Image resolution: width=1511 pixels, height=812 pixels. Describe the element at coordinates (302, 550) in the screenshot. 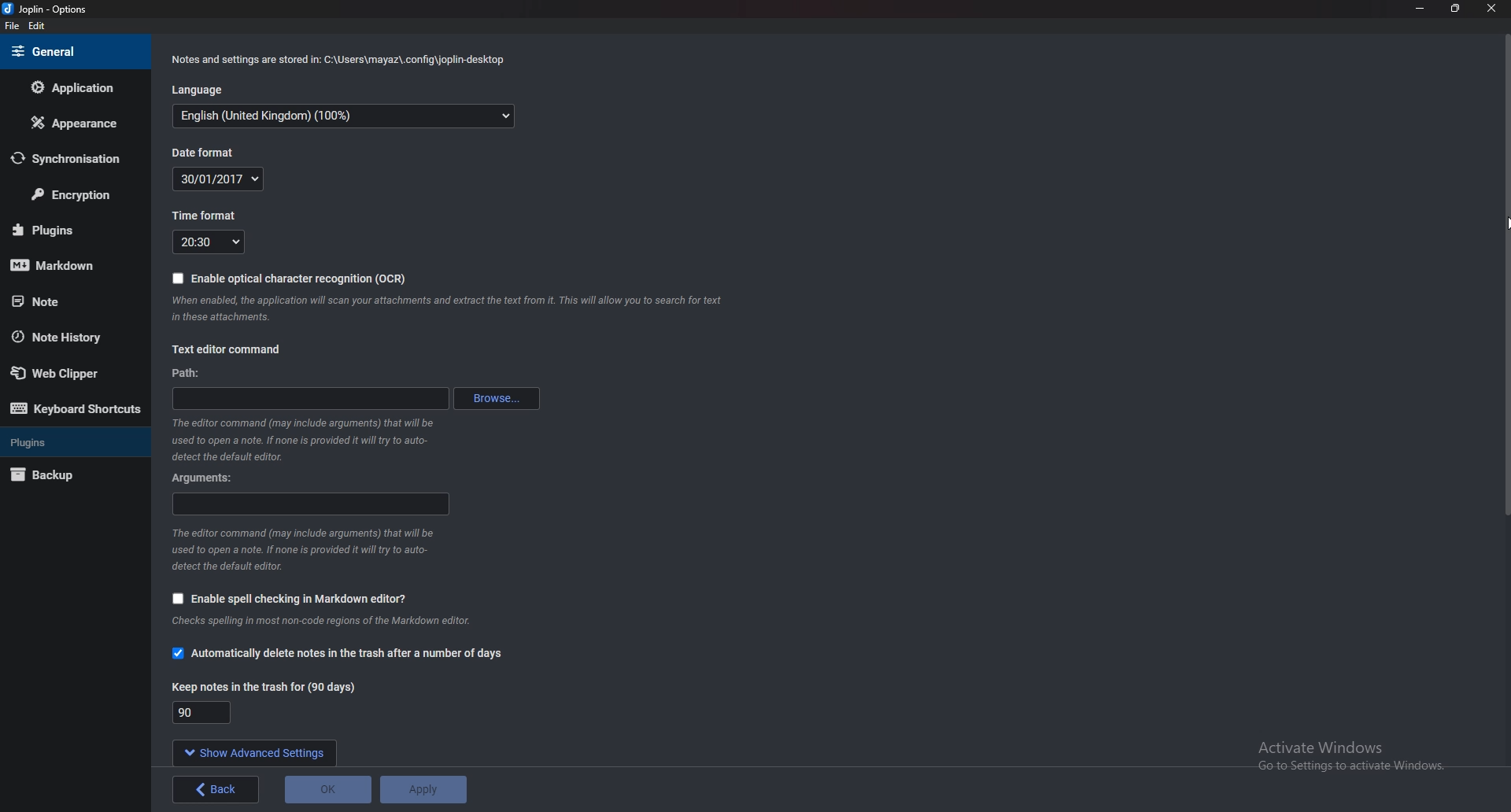

I see `Info on editor command` at that location.